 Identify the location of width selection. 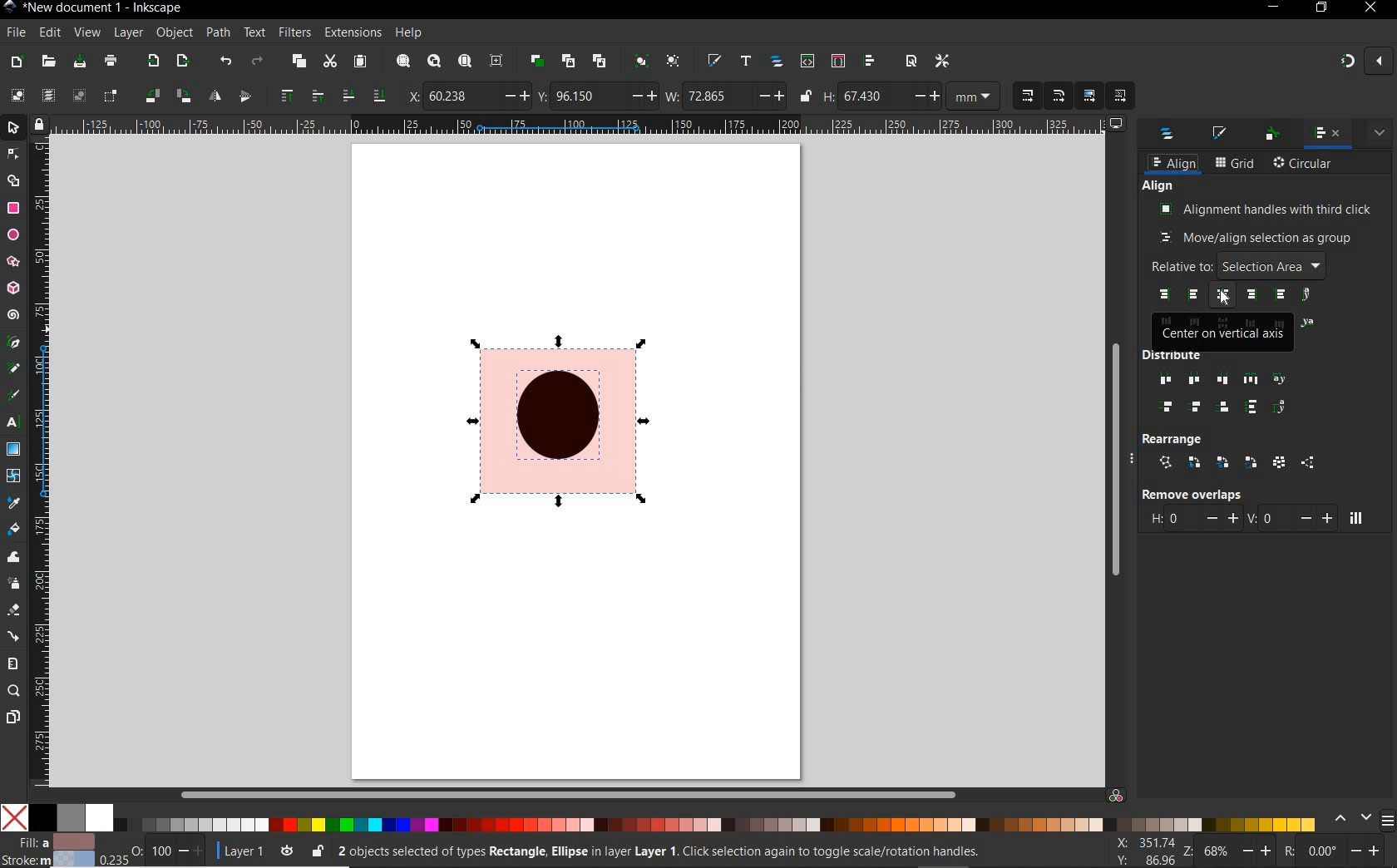
(726, 97).